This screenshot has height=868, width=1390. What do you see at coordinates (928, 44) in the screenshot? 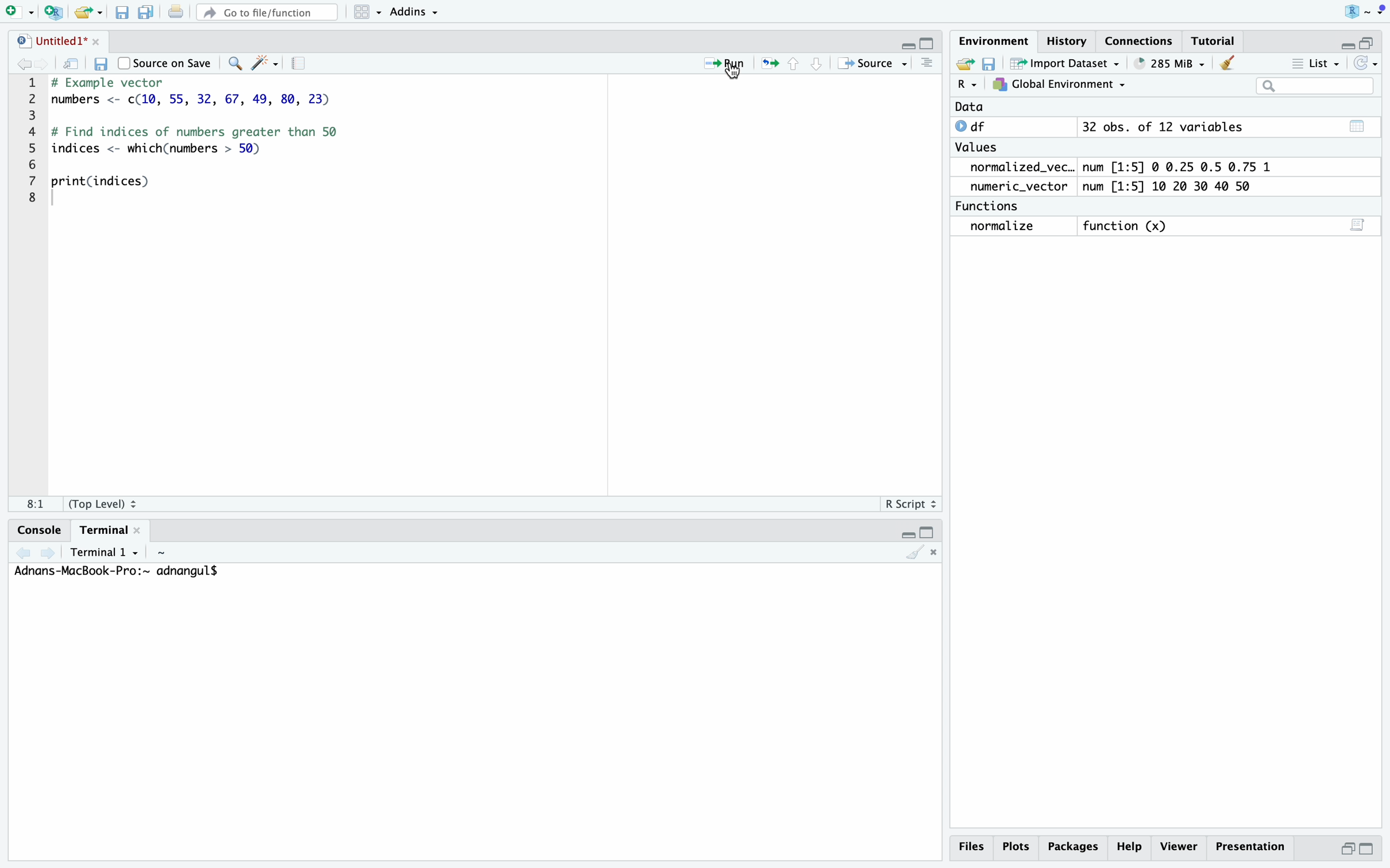
I see `MAXIMISE` at bounding box center [928, 44].